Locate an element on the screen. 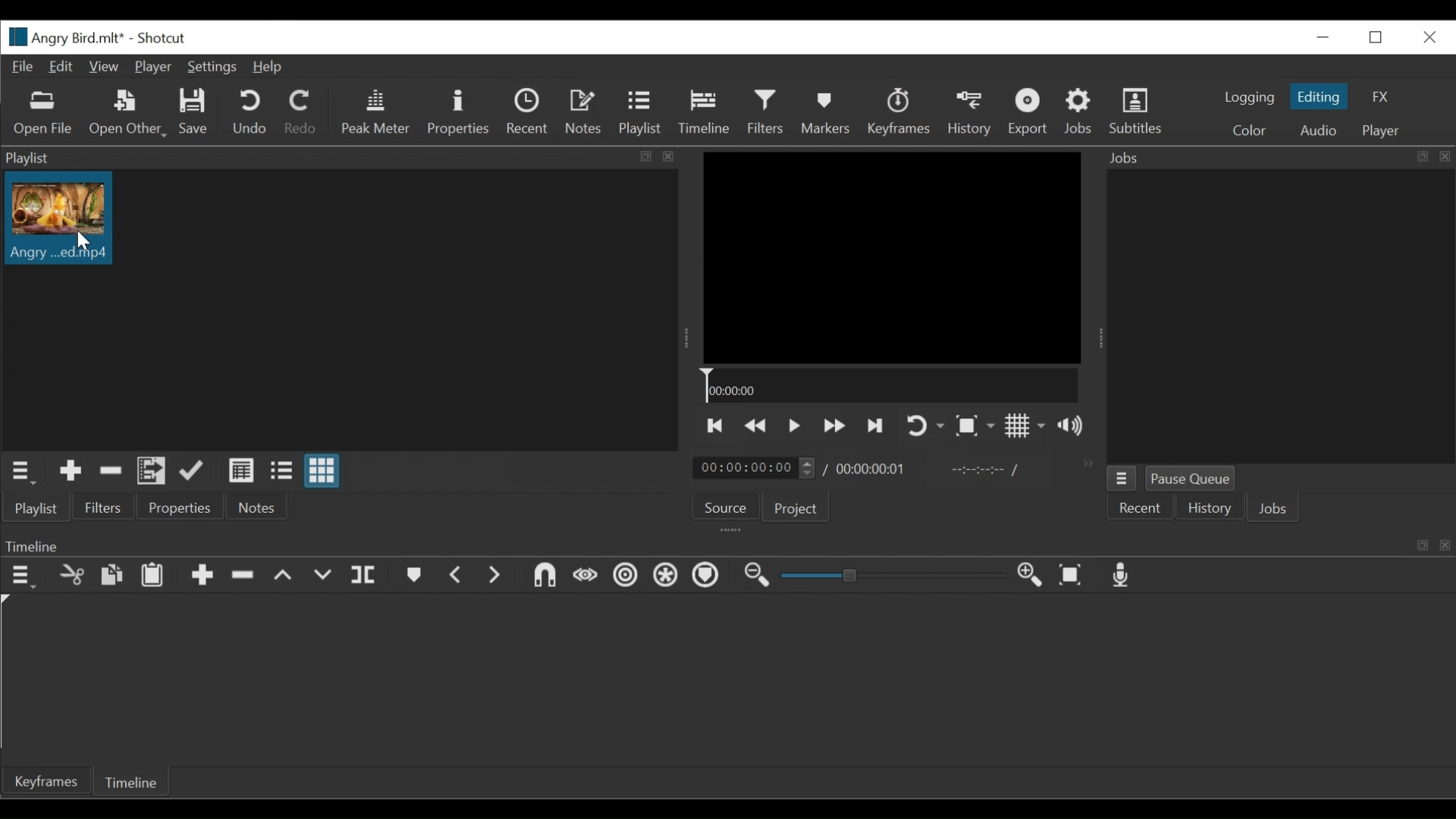 The width and height of the screenshot is (1456, 819). Toggle player on looping is located at coordinates (924, 427).